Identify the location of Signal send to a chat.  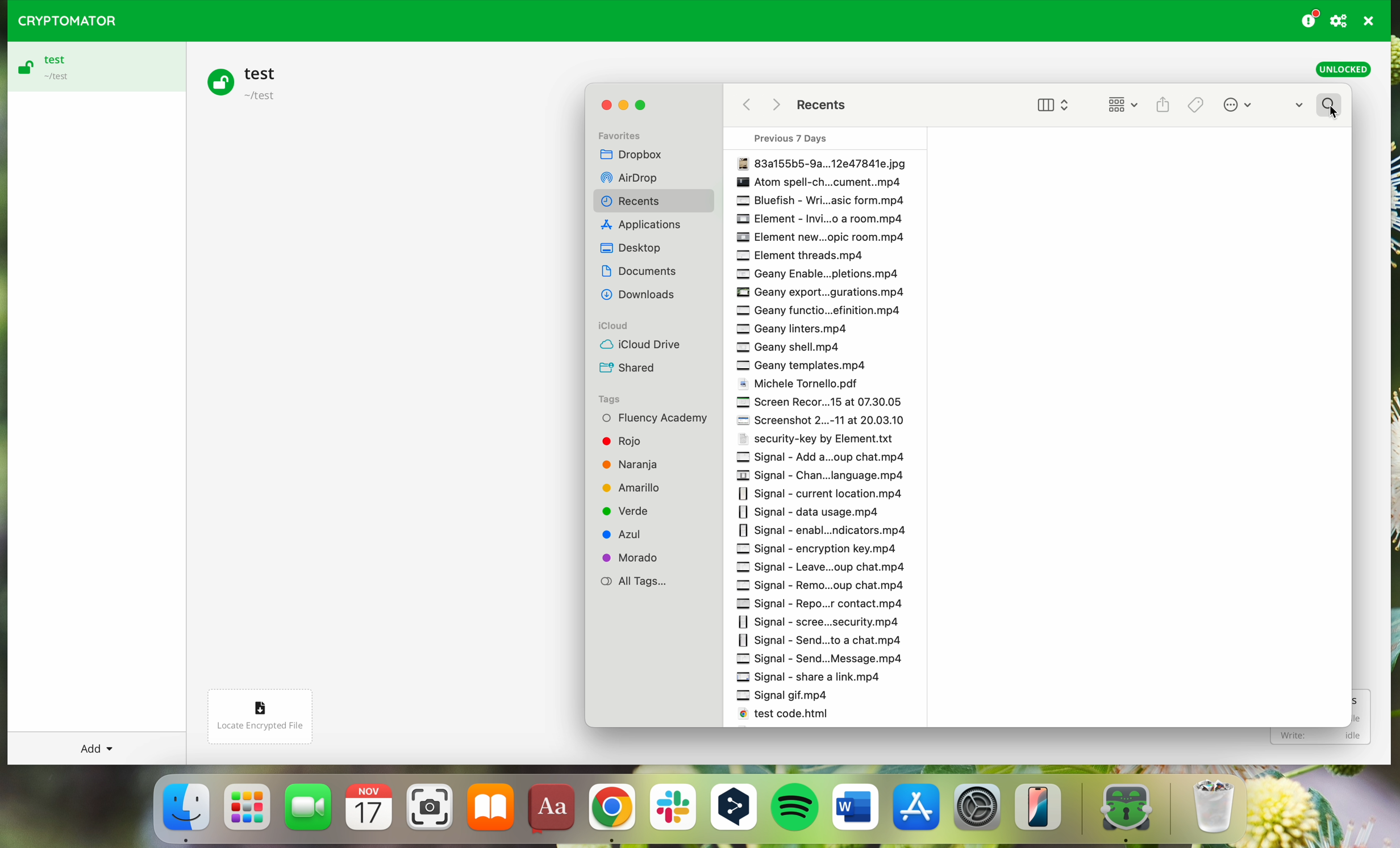
(829, 640).